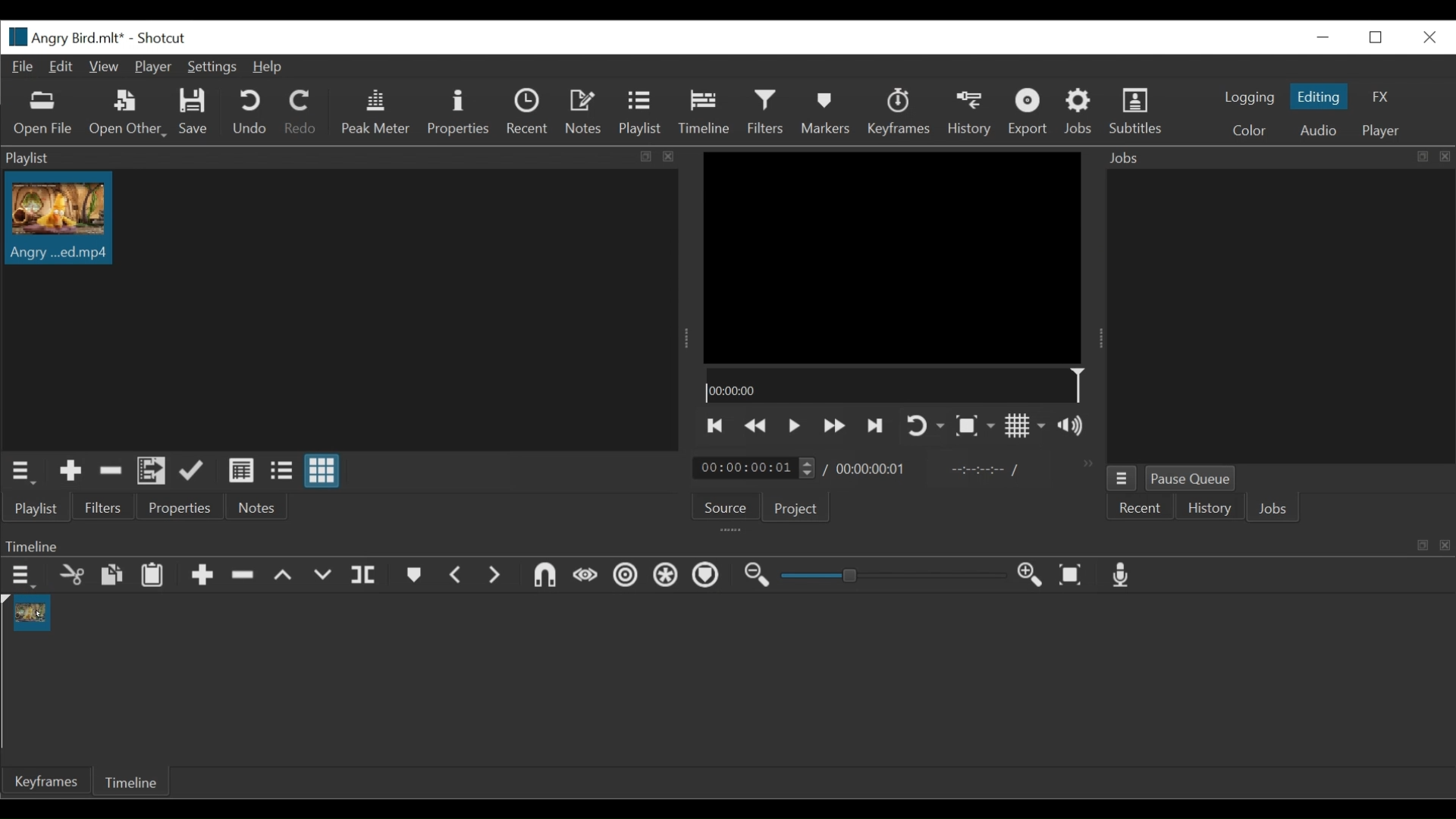 Image resolution: width=1456 pixels, height=819 pixels. Describe the element at coordinates (1376, 37) in the screenshot. I see `Restore` at that location.